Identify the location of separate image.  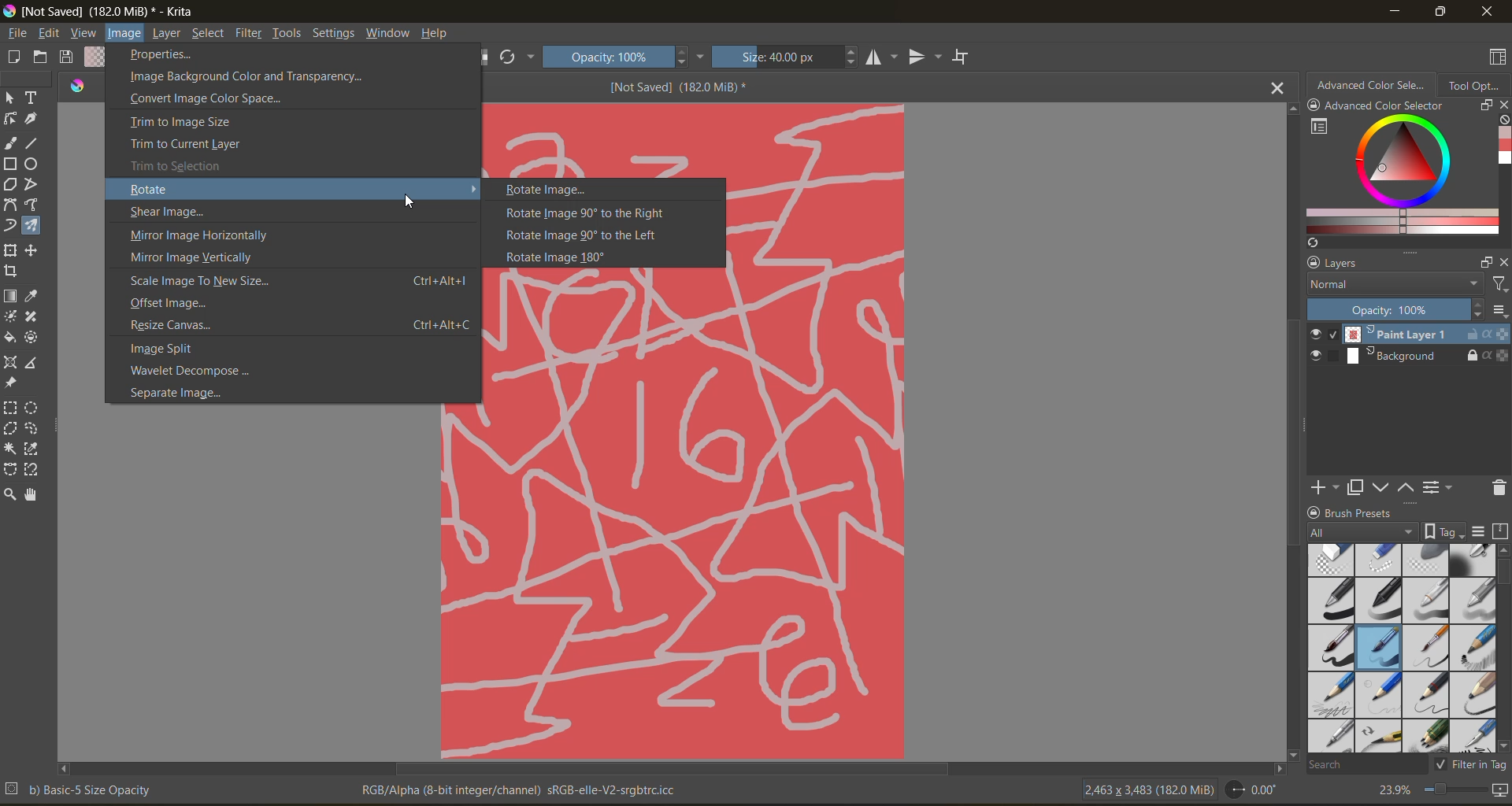
(182, 391).